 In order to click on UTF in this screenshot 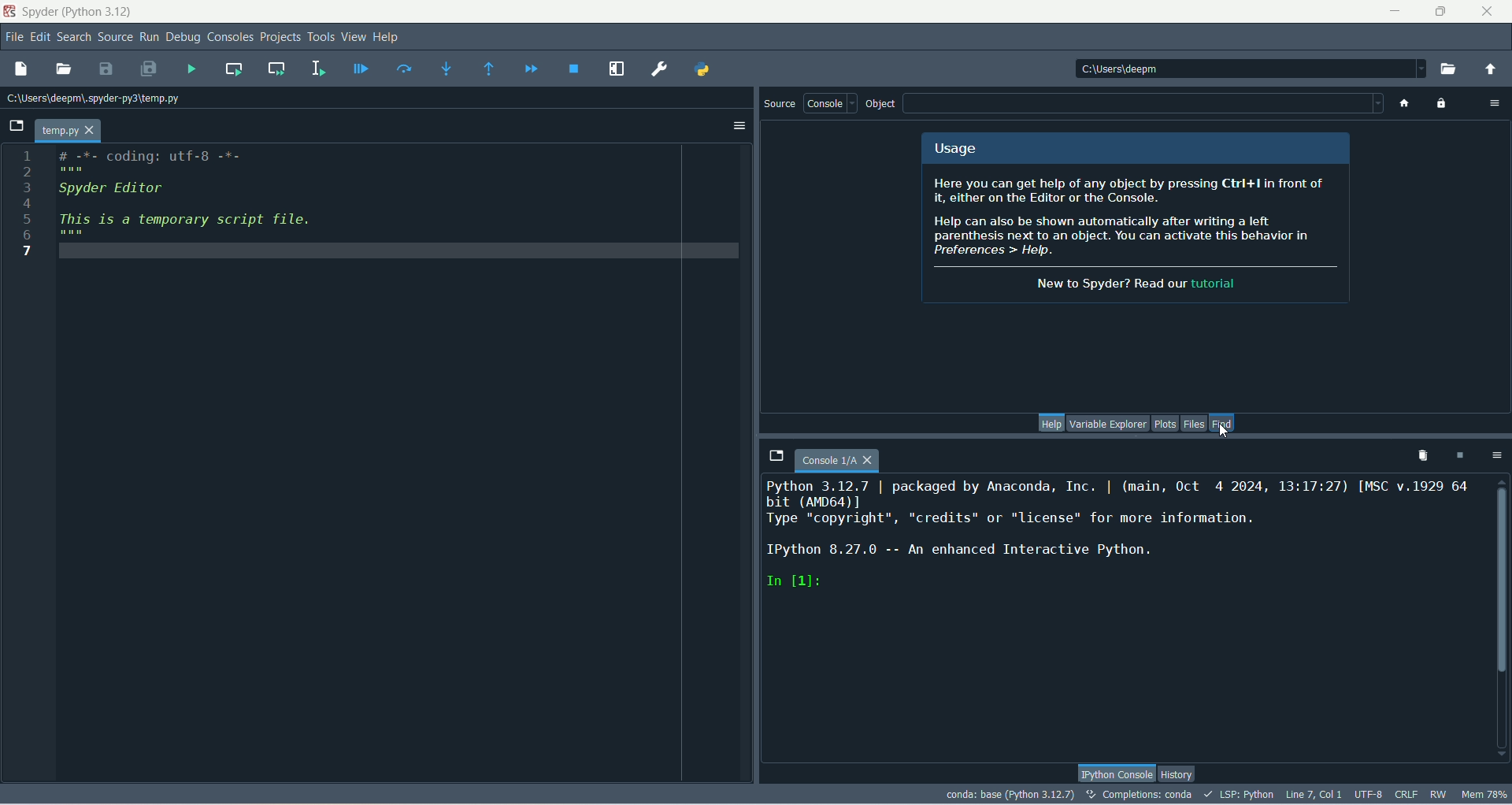, I will do `click(1369, 793)`.